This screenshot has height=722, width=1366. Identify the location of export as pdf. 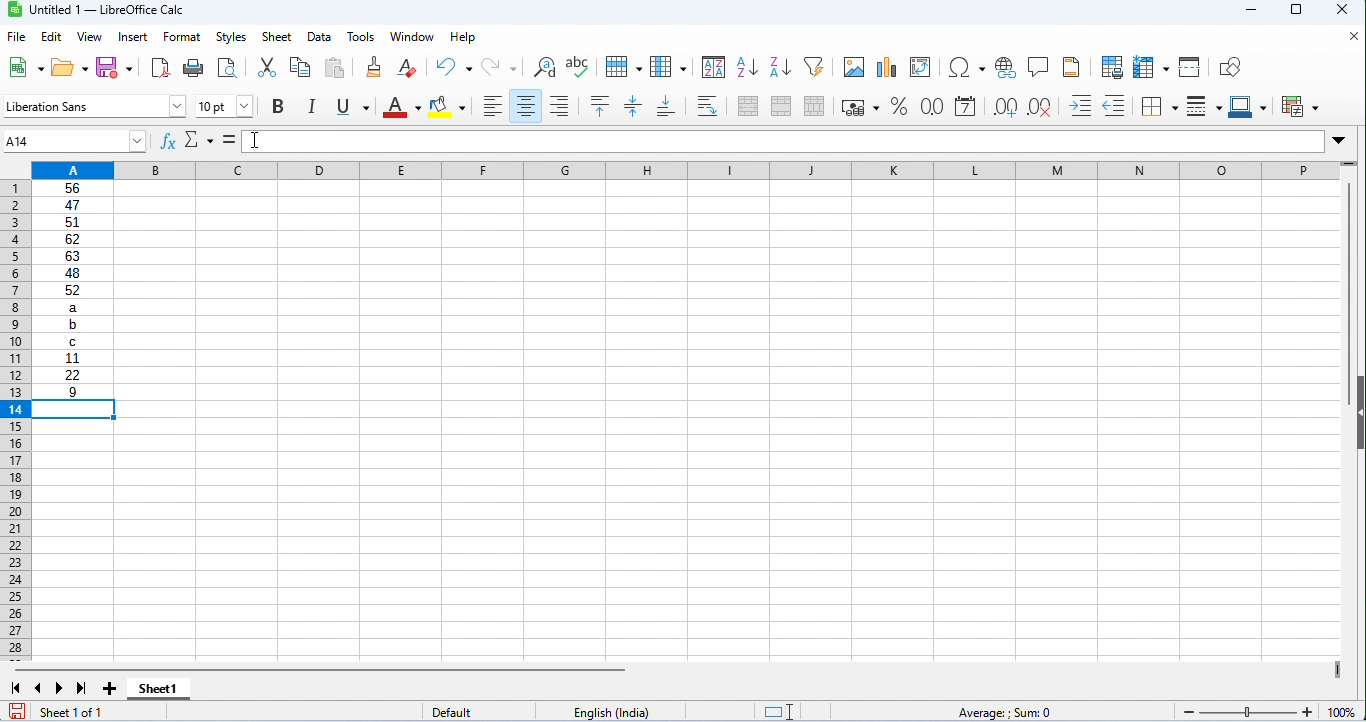
(162, 70).